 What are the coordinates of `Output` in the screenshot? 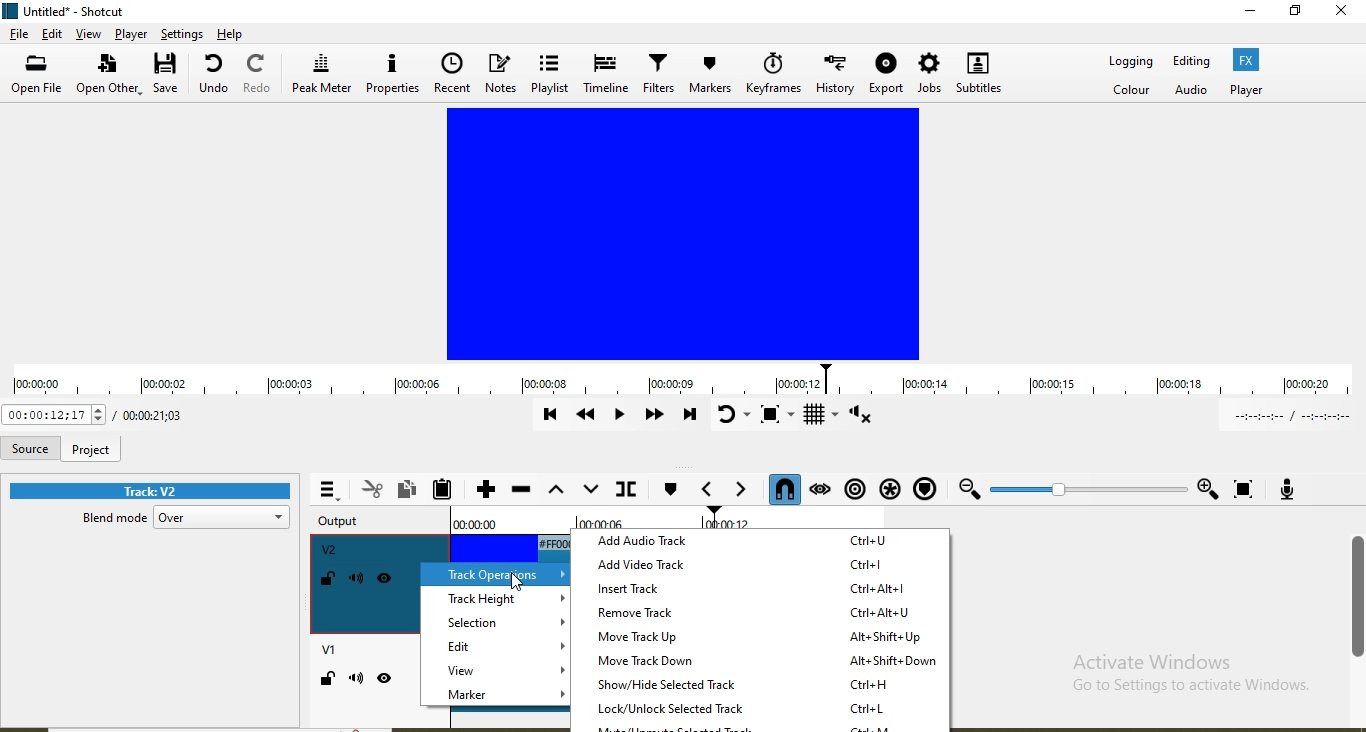 It's located at (345, 522).